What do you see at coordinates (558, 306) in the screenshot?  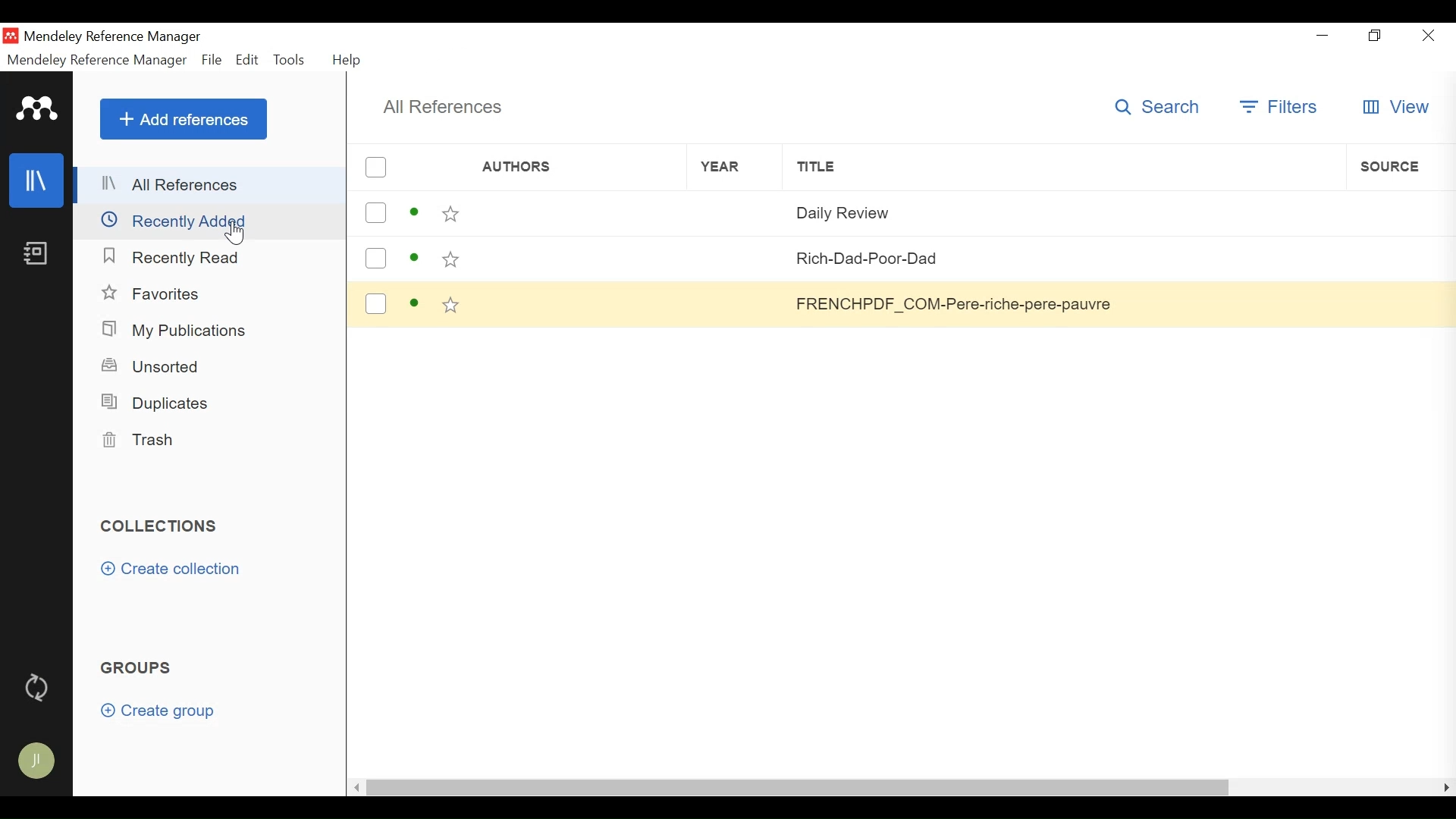 I see `Author` at bounding box center [558, 306].